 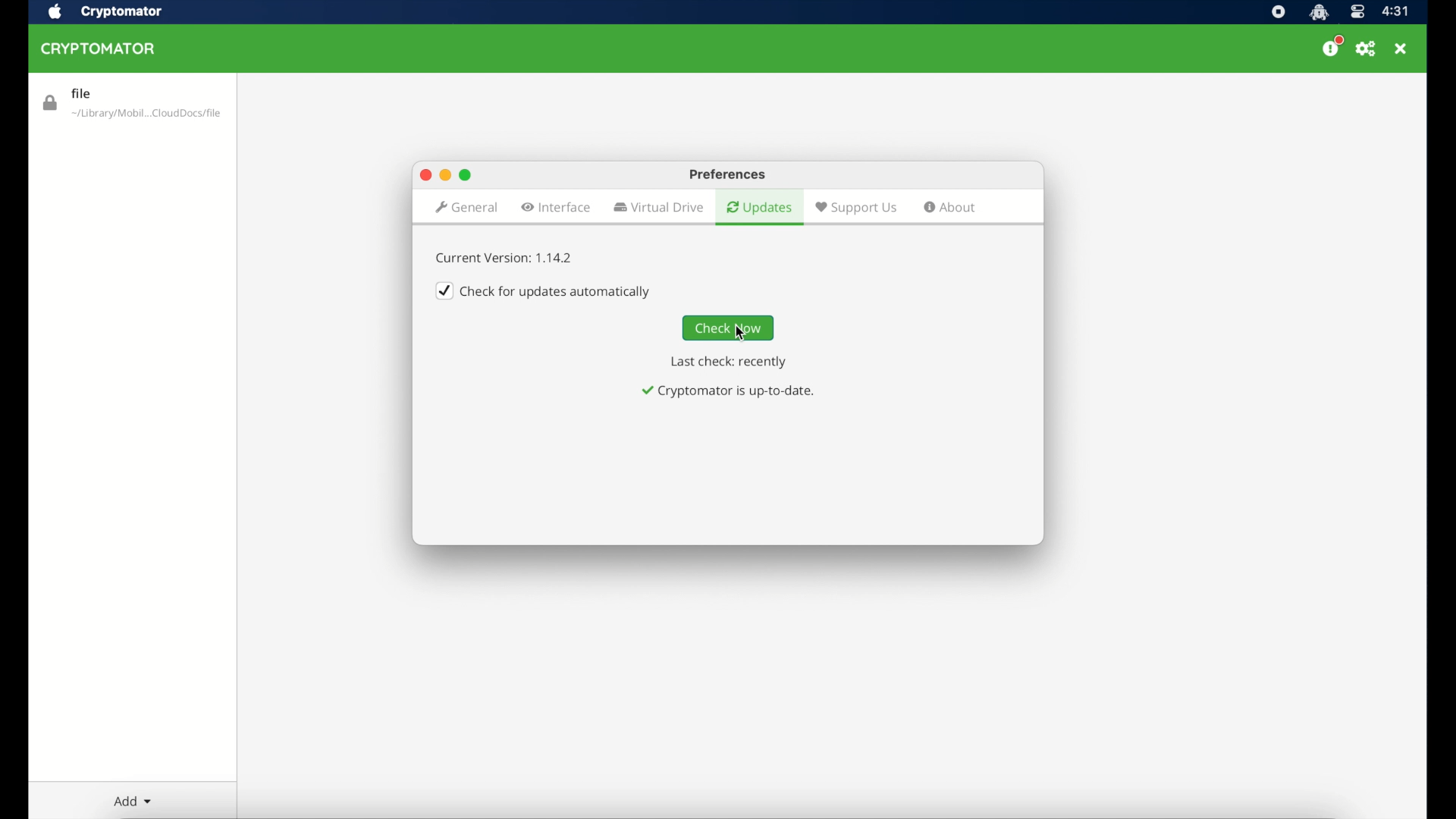 I want to click on close, so click(x=1402, y=49).